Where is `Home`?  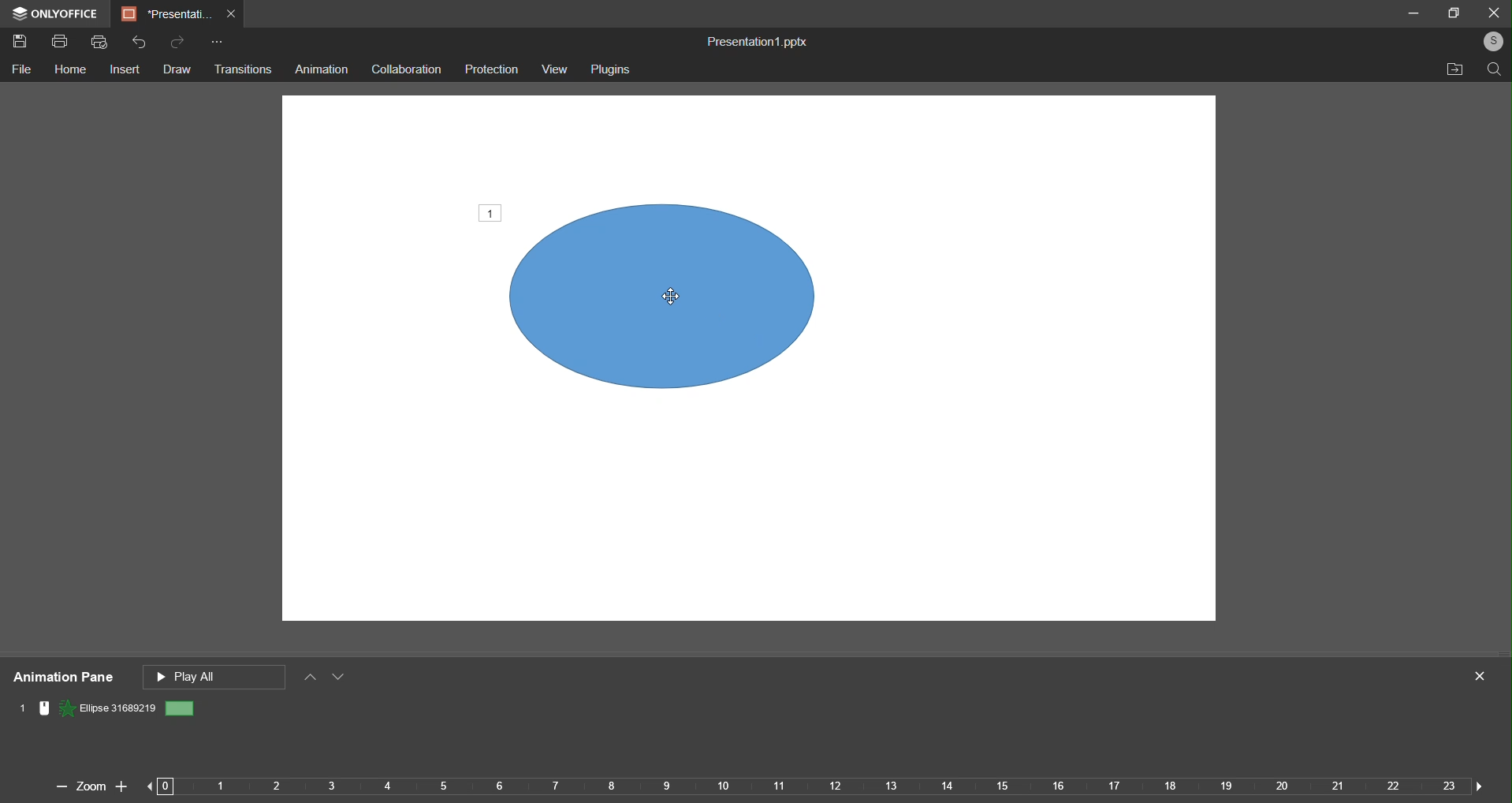
Home is located at coordinates (69, 71).